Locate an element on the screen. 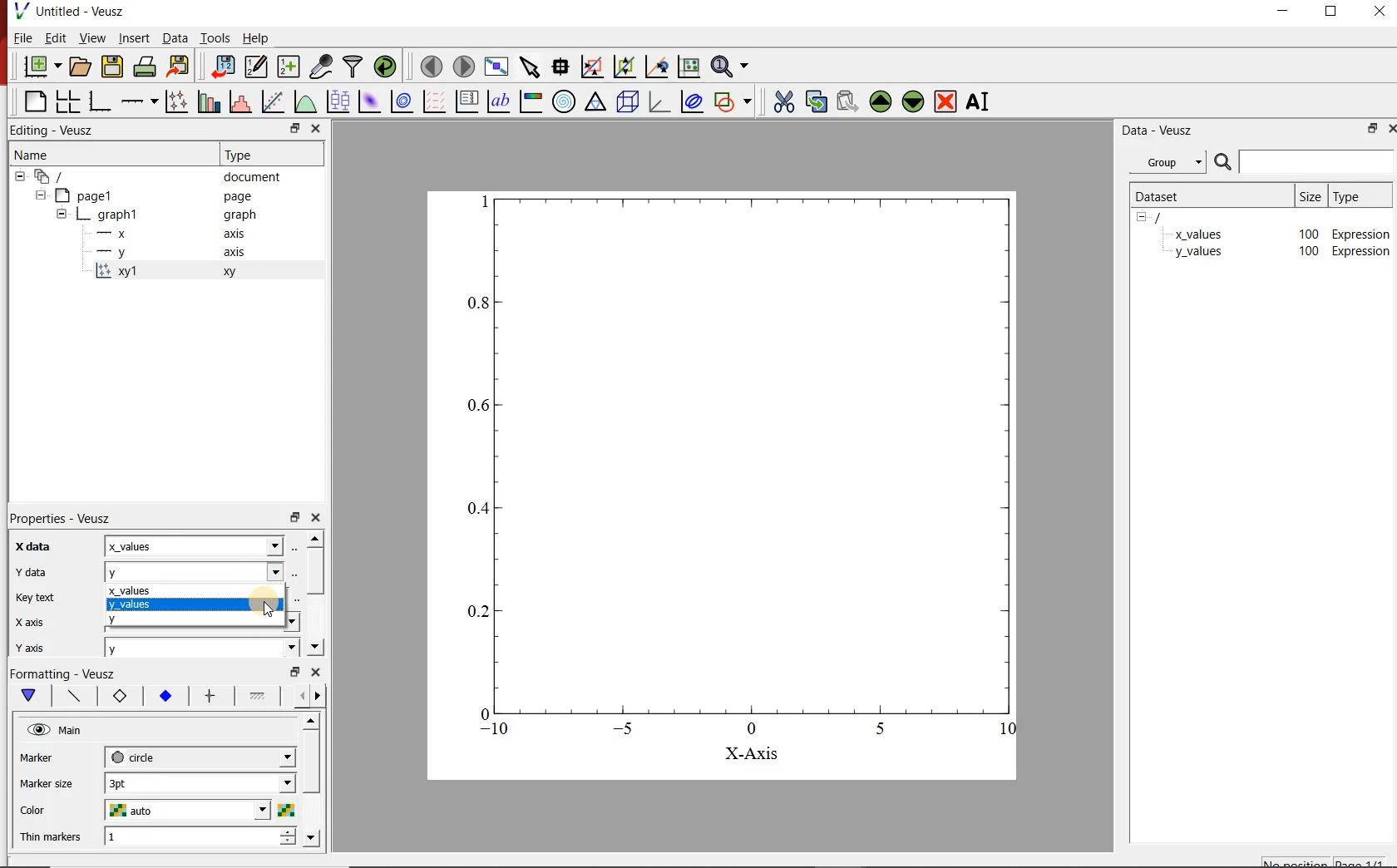 The image size is (1397, 868). Formatting - Veusz is located at coordinates (67, 673).